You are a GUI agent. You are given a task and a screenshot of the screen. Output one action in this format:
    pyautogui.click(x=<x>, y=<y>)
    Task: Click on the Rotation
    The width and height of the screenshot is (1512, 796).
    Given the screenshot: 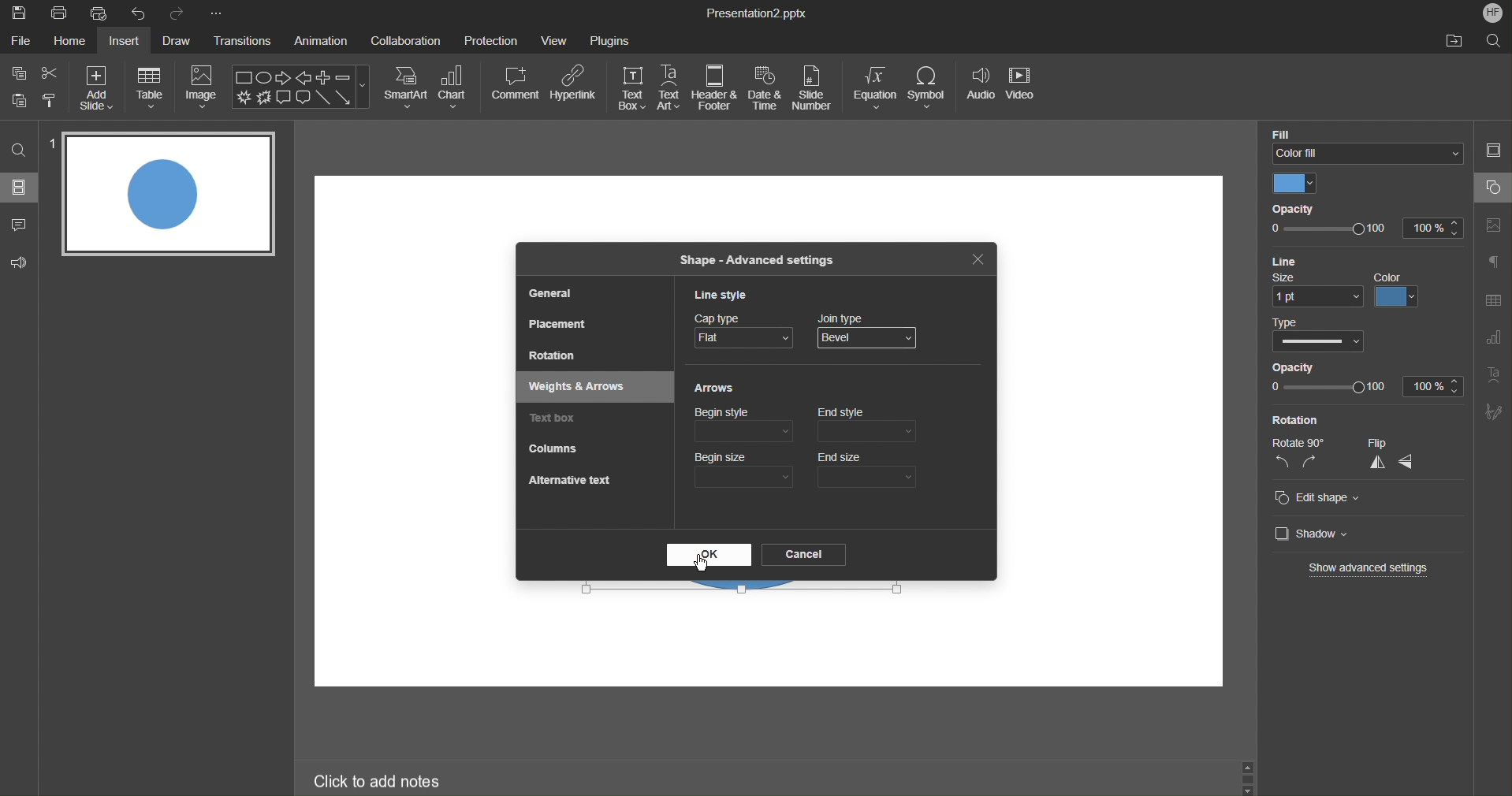 What is the action you would take?
    pyautogui.click(x=556, y=359)
    